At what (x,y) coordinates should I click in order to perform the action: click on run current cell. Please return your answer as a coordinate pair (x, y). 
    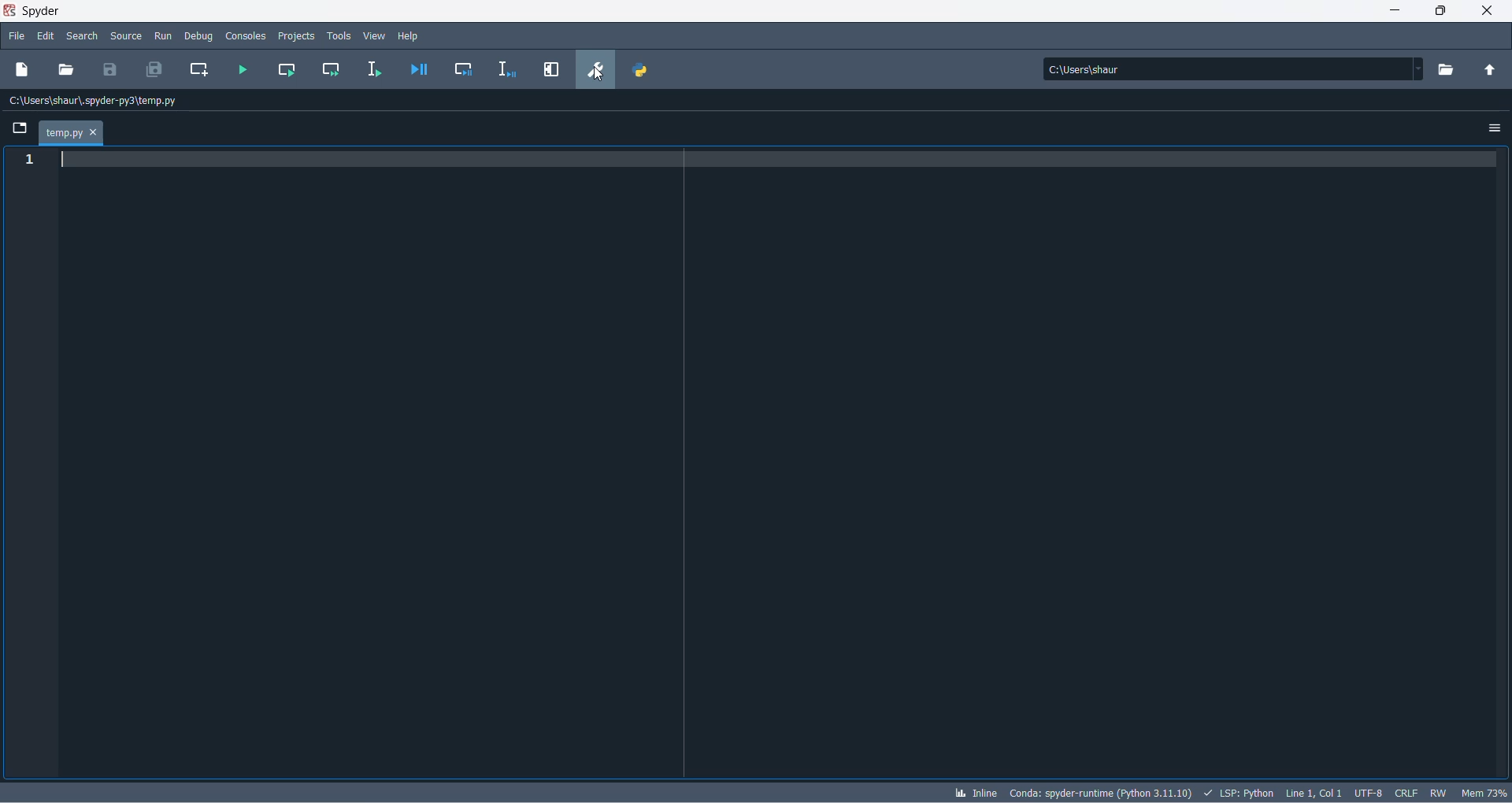
    Looking at the image, I should click on (332, 69).